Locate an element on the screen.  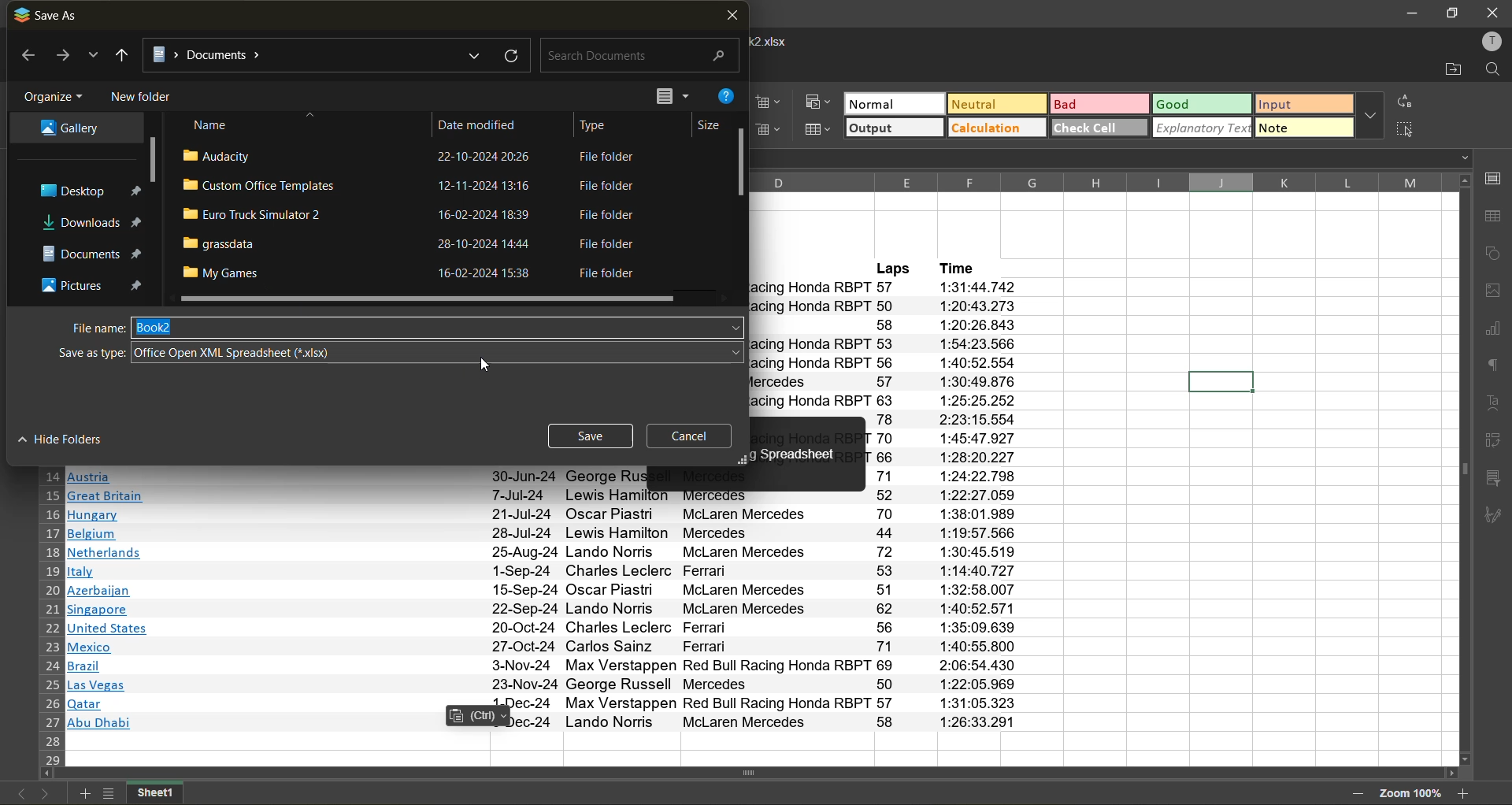
move down is located at coordinates (1466, 759).